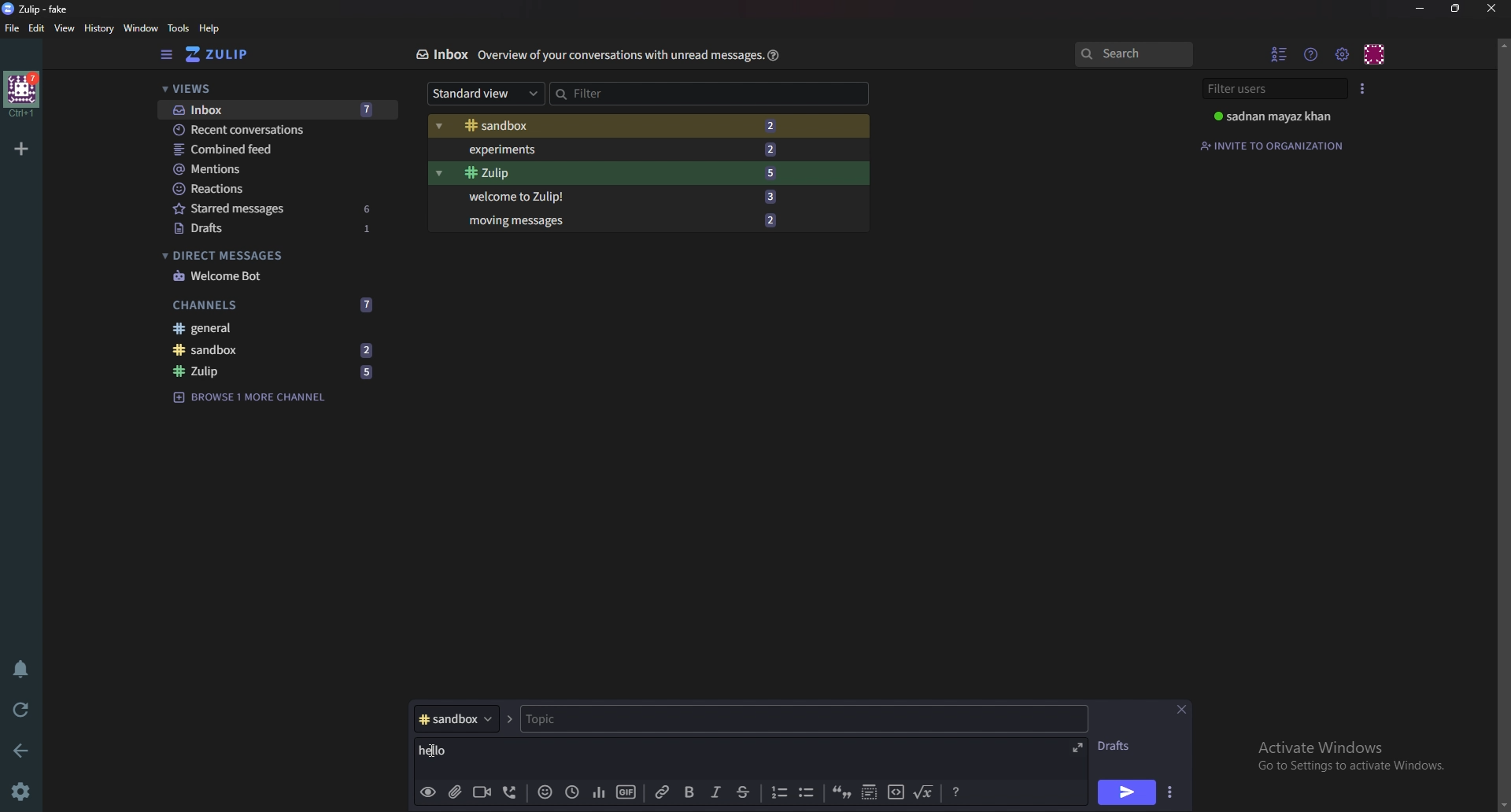 This screenshot has width=1511, height=812. What do you see at coordinates (1350, 755) in the screenshot?
I see `Activate Windows
Go to Settings to activate Windows.` at bounding box center [1350, 755].